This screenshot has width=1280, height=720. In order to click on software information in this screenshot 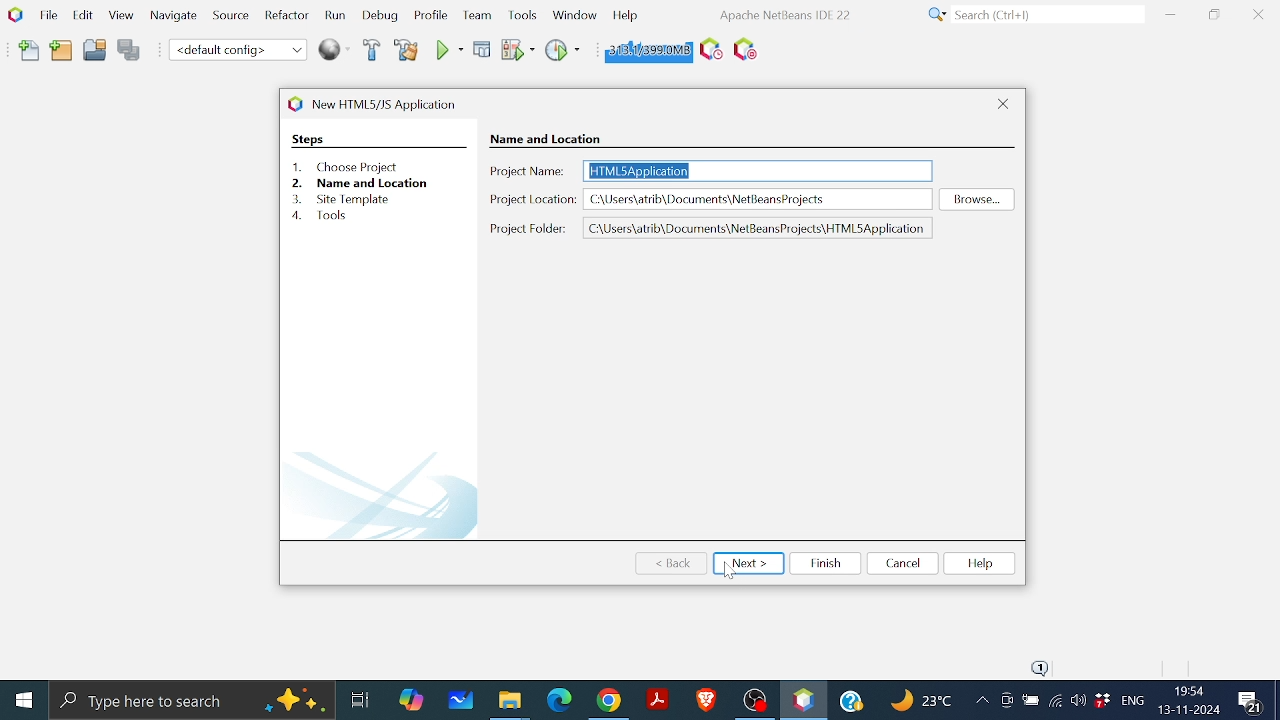, I will do `click(783, 14)`.